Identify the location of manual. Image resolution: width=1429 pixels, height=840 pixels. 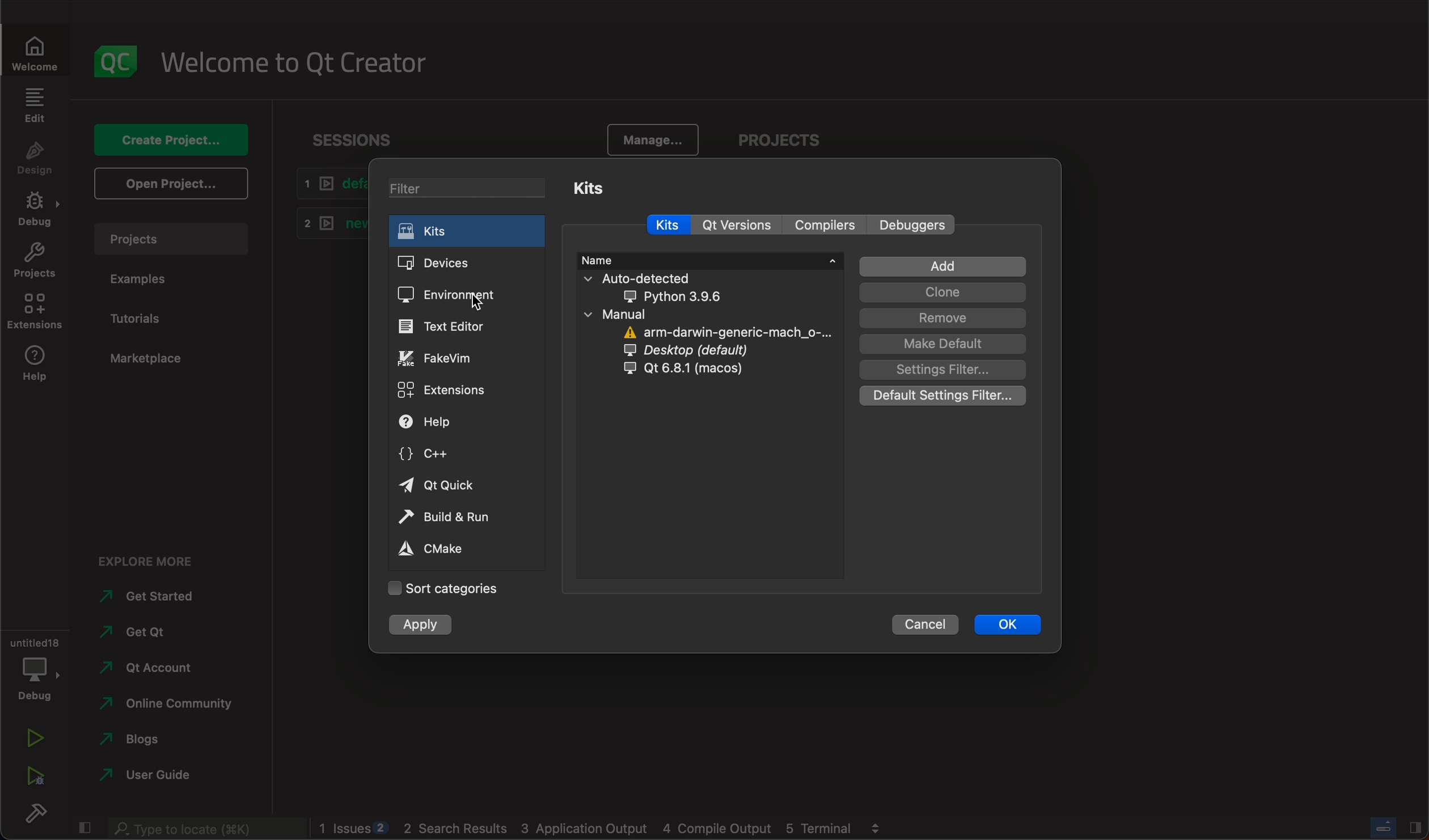
(633, 313).